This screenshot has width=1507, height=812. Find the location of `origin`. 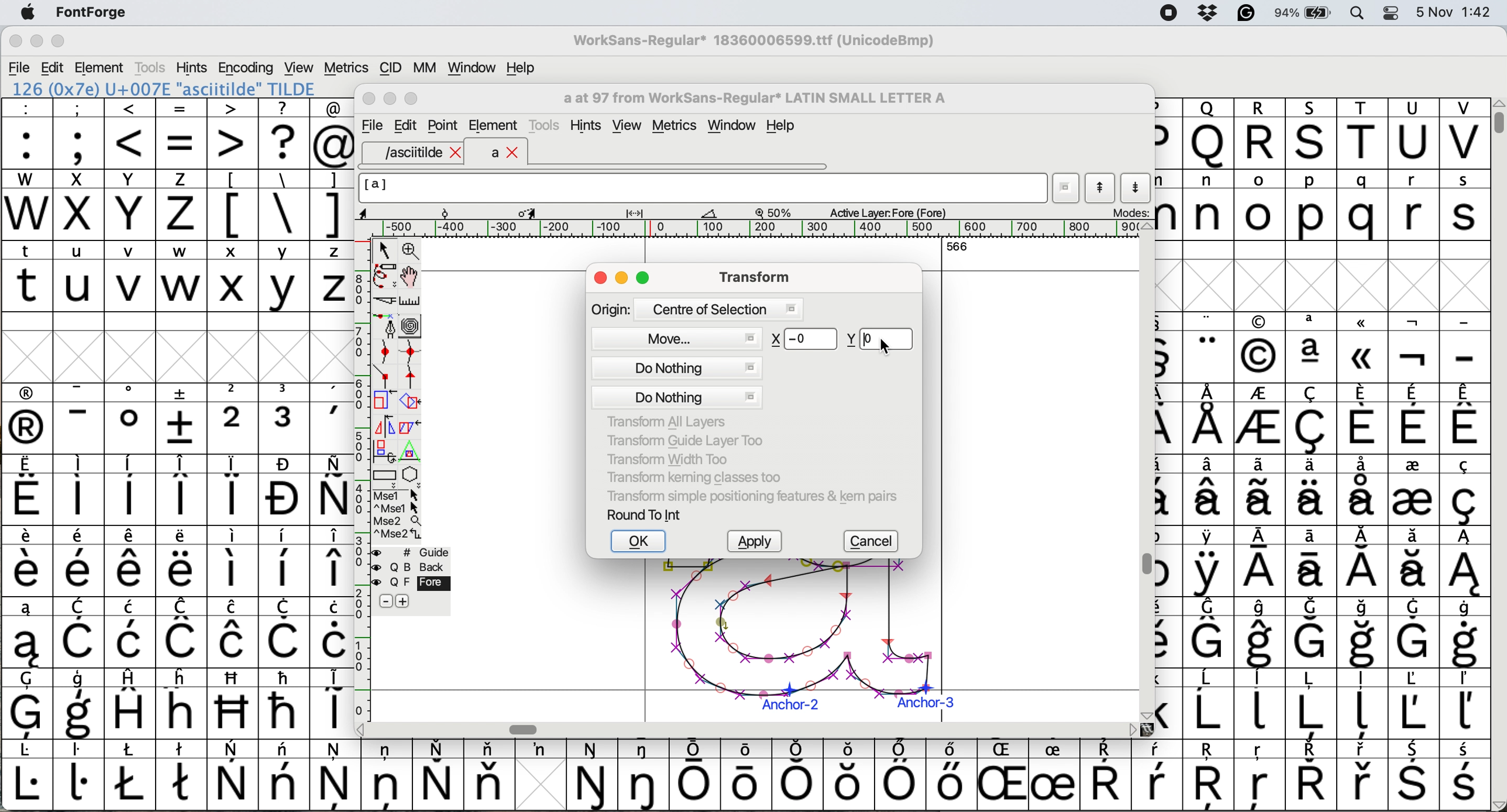

origin is located at coordinates (696, 308).